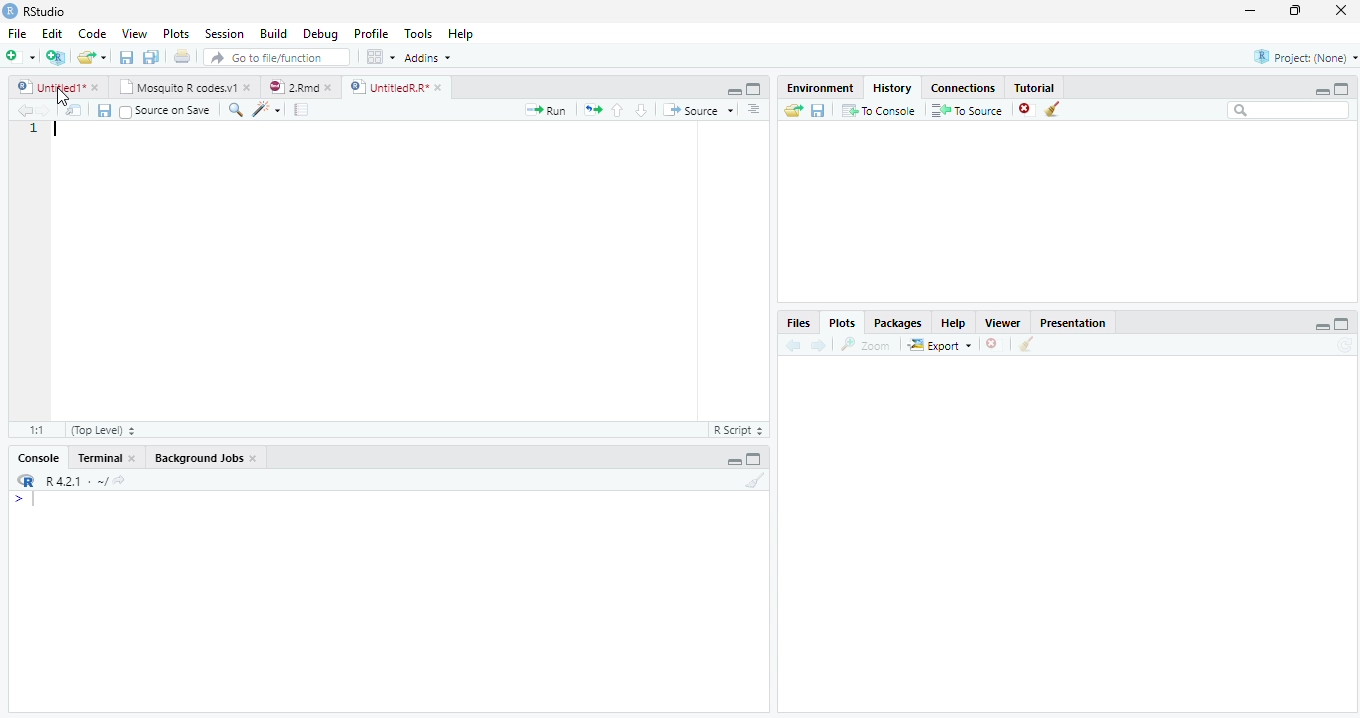  What do you see at coordinates (31, 130) in the screenshot?
I see `1` at bounding box center [31, 130].